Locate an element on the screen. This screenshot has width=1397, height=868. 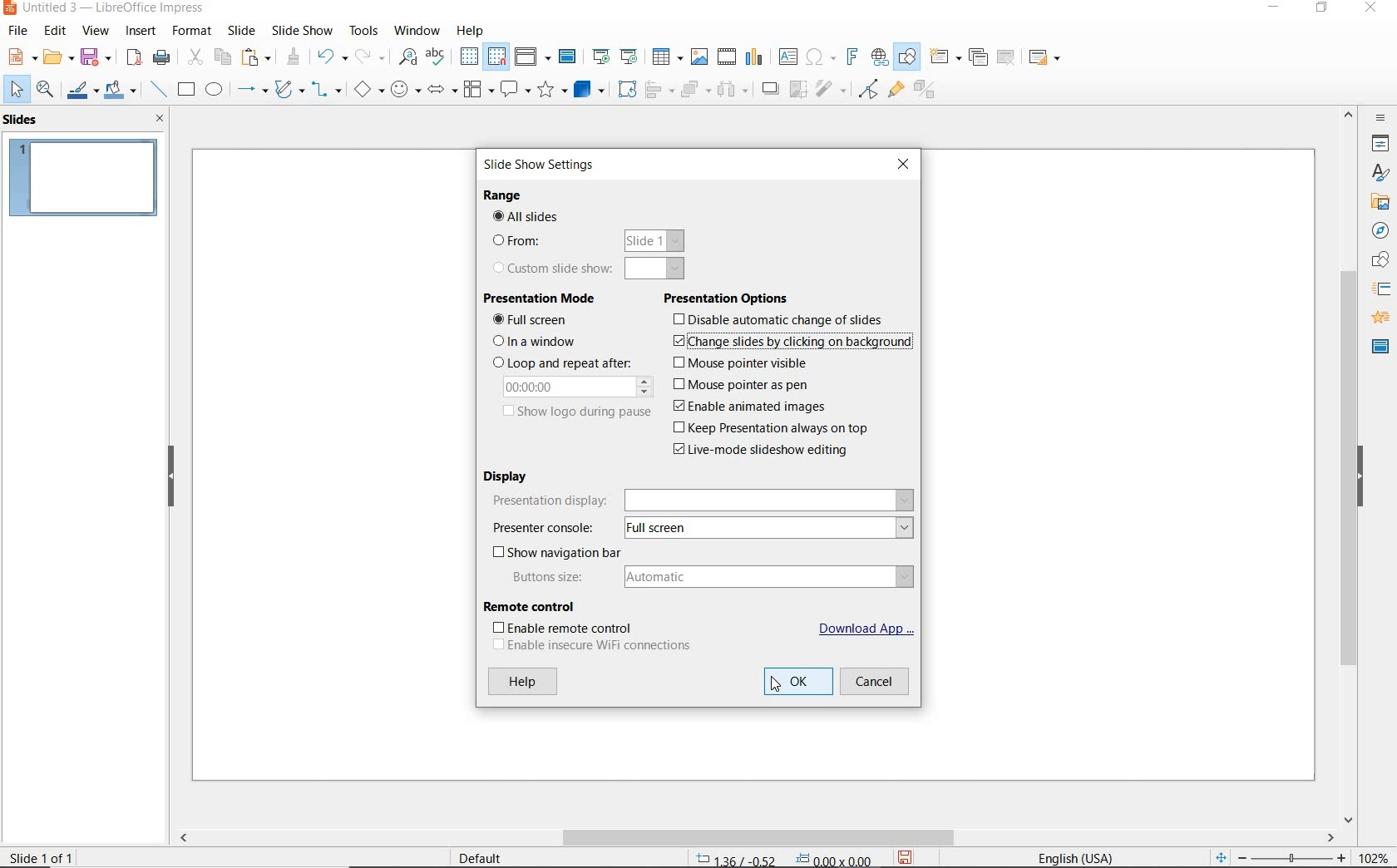
INSERT CHART is located at coordinates (755, 56).